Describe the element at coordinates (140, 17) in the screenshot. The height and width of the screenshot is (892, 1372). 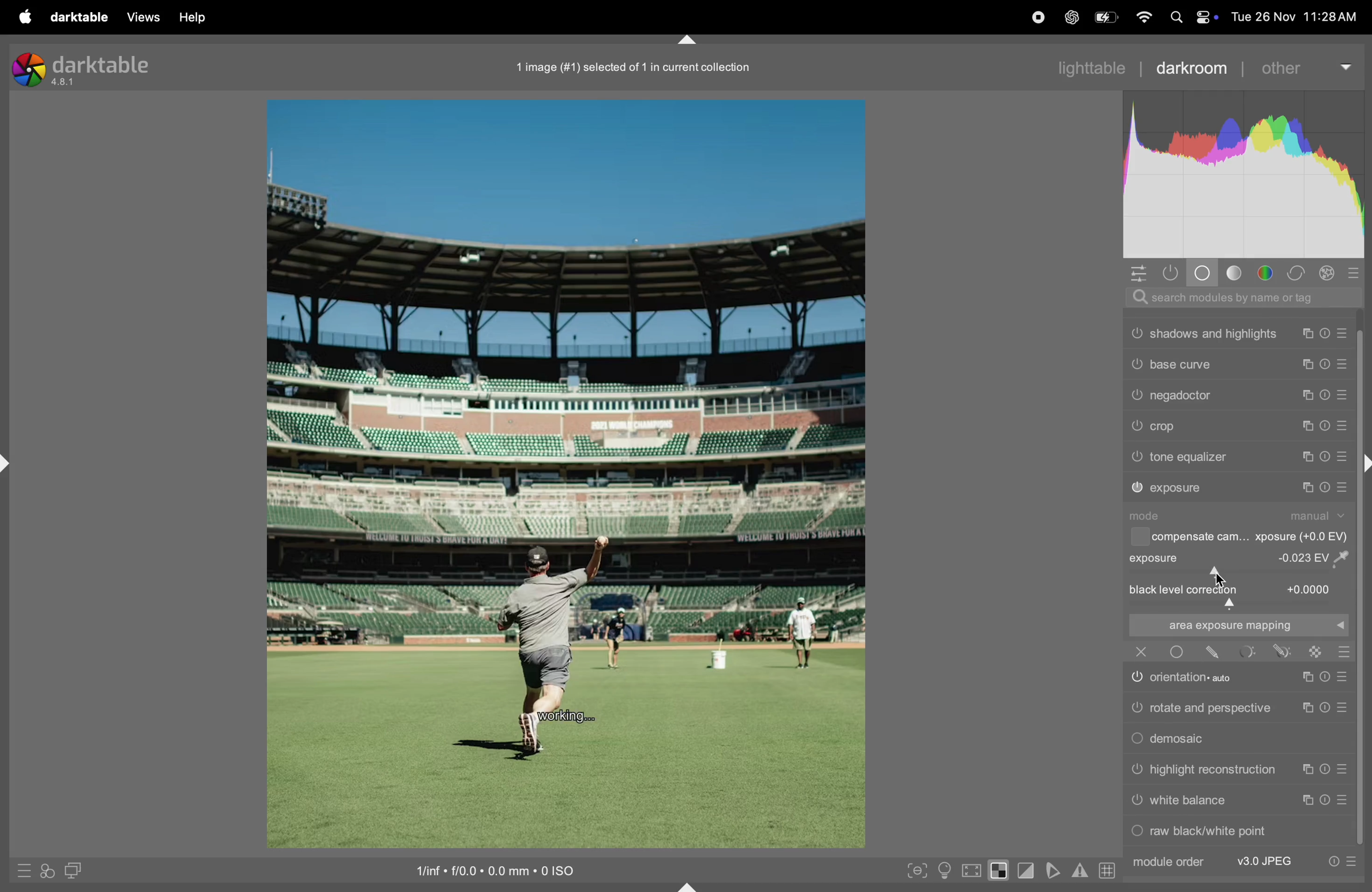
I see `views` at that location.